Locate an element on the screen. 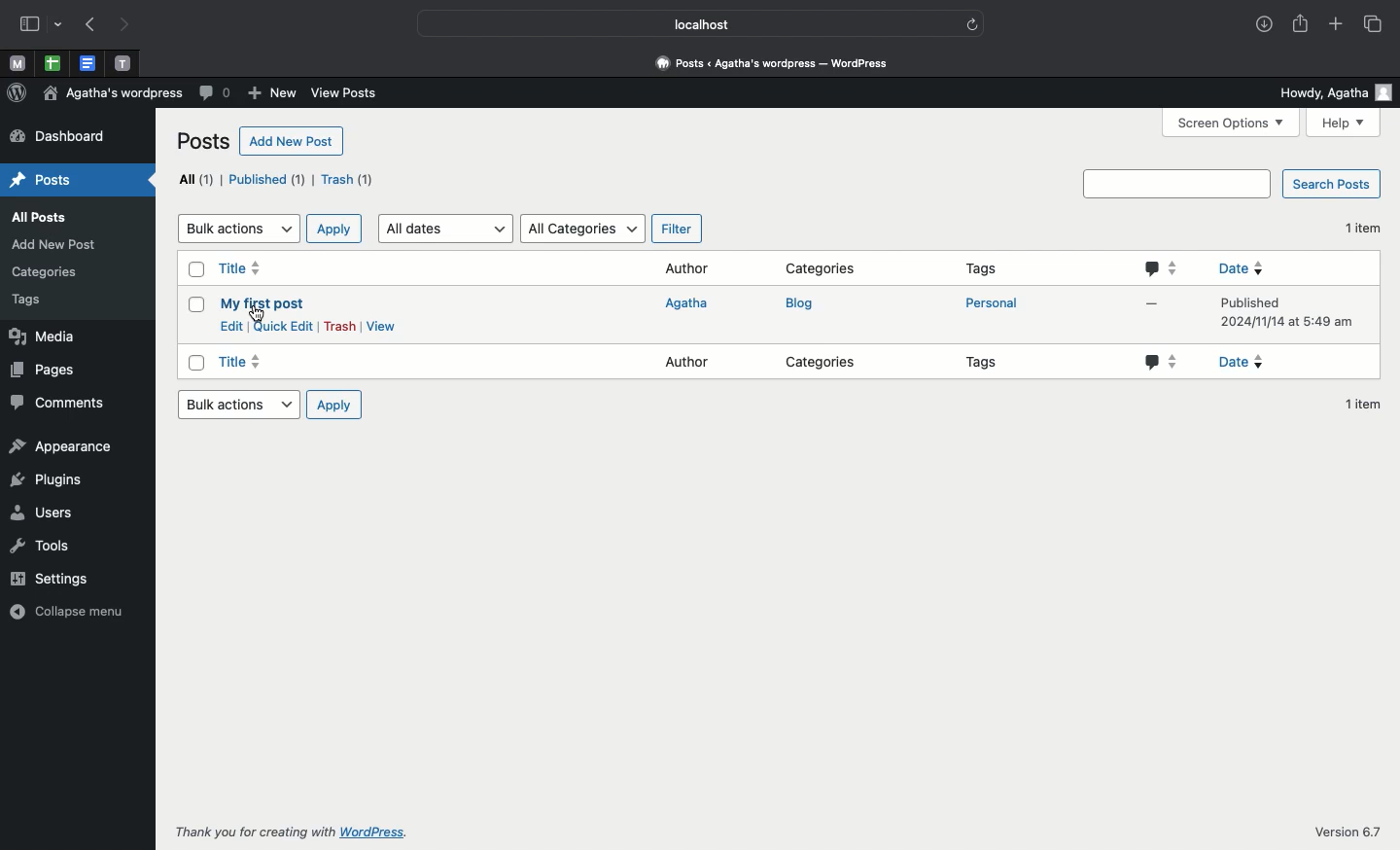 This screenshot has width=1400, height=850. Users is located at coordinates (52, 514).